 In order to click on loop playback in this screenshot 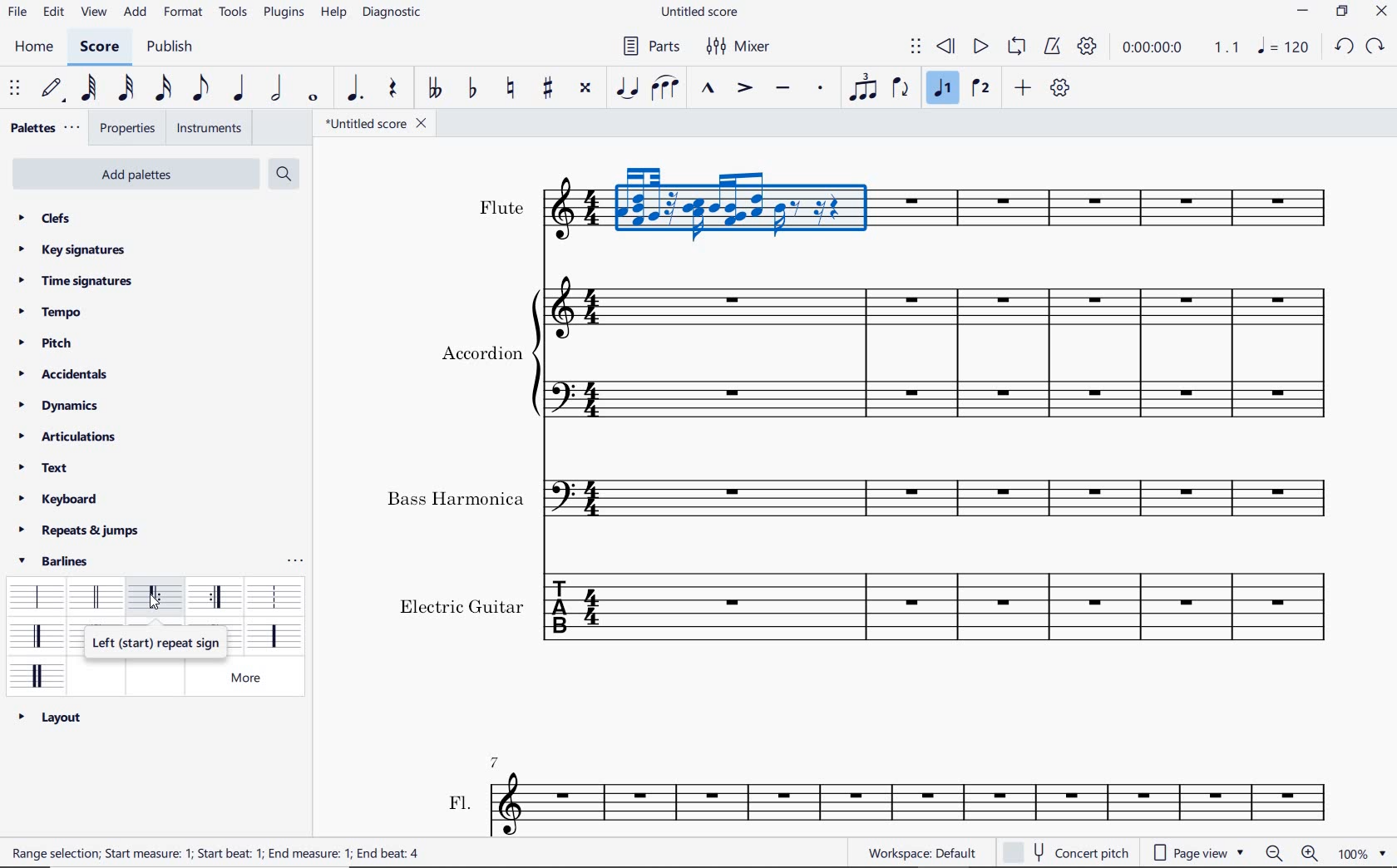, I will do `click(1016, 47)`.